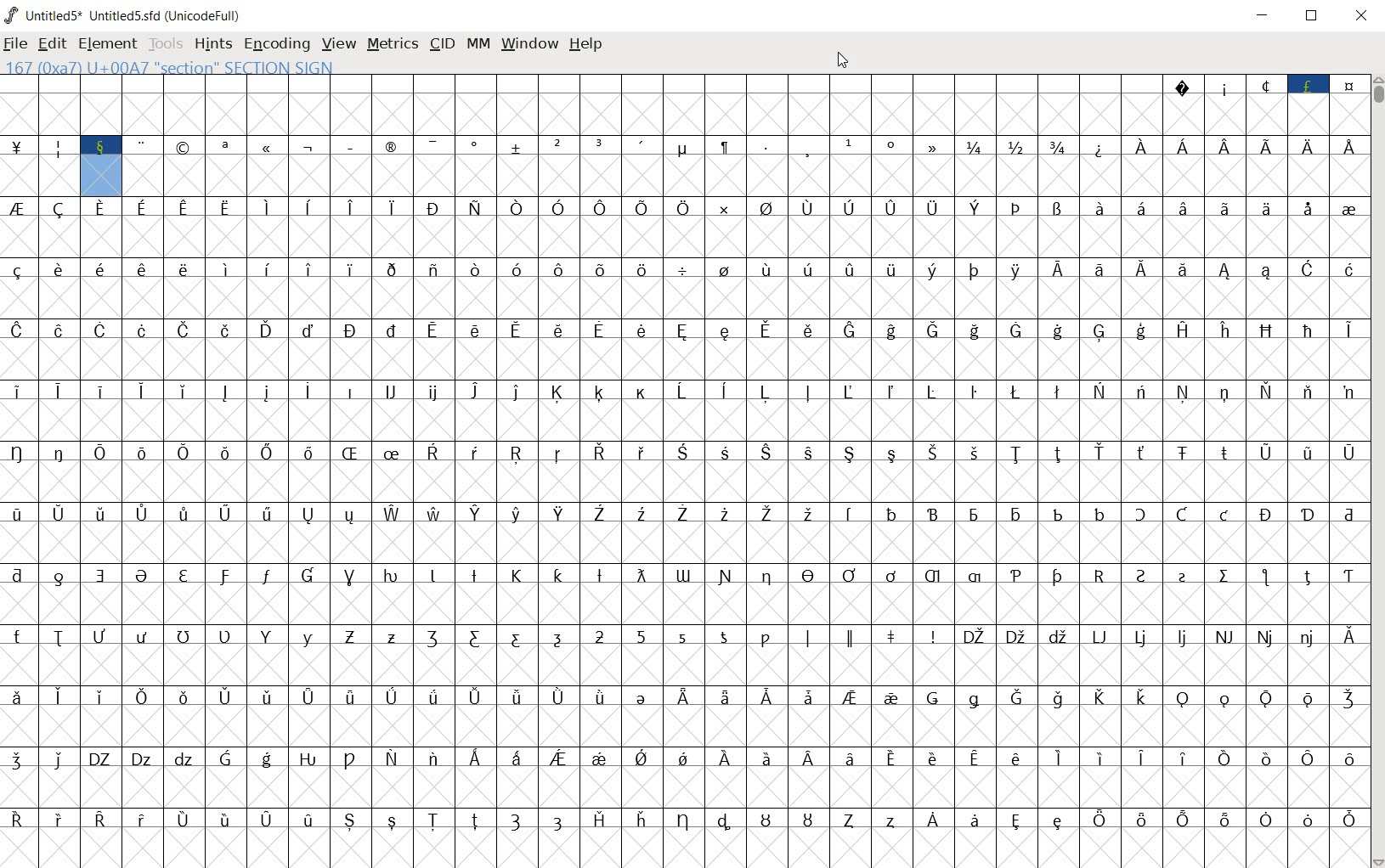 The width and height of the screenshot is (1385, 868). Describe the element at coordinates (228, 778) in the screenshot. I see `special alphabets` at that location.